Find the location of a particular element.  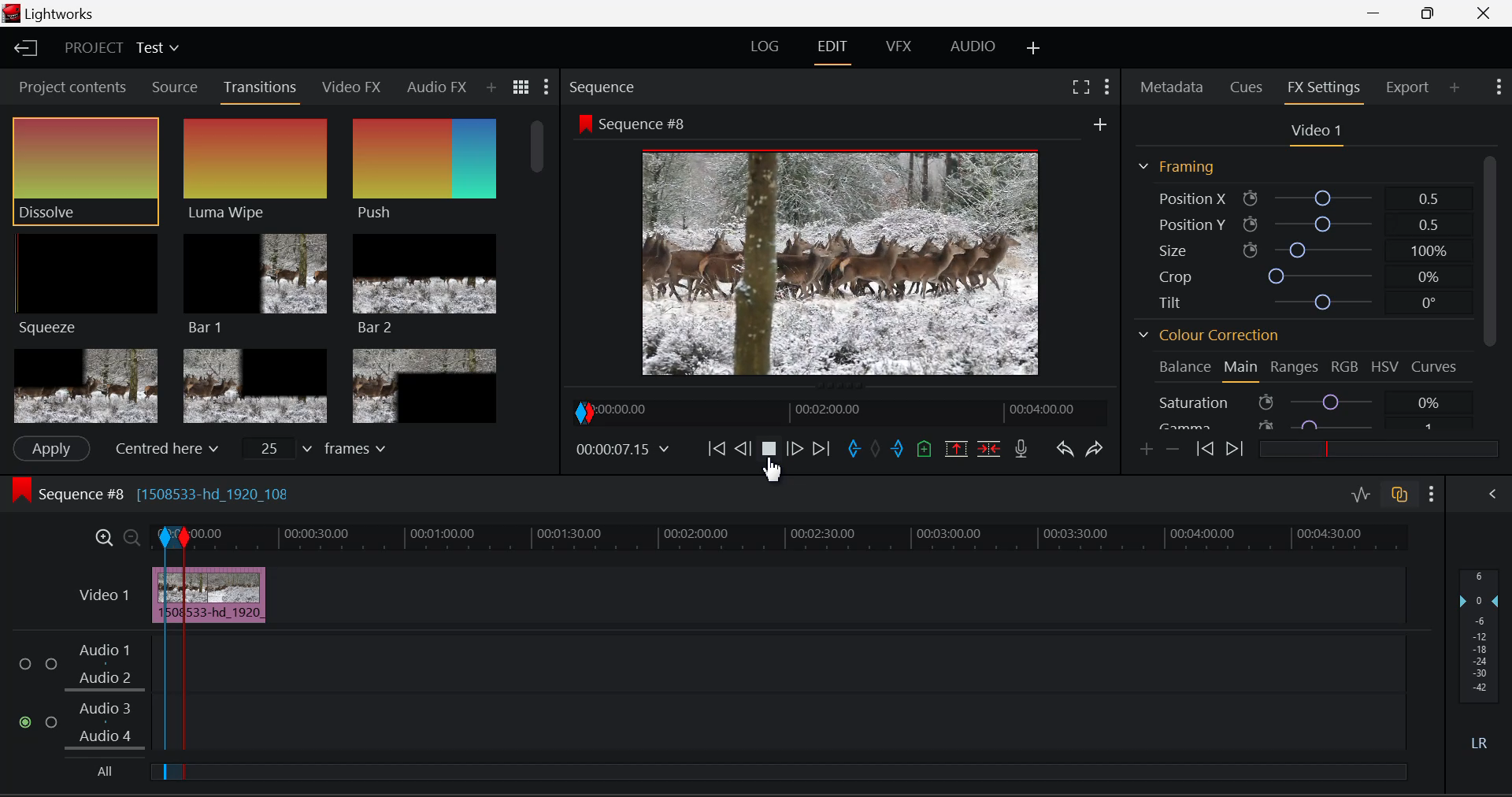

Go to Homepage is located at coordinates (27, 50).